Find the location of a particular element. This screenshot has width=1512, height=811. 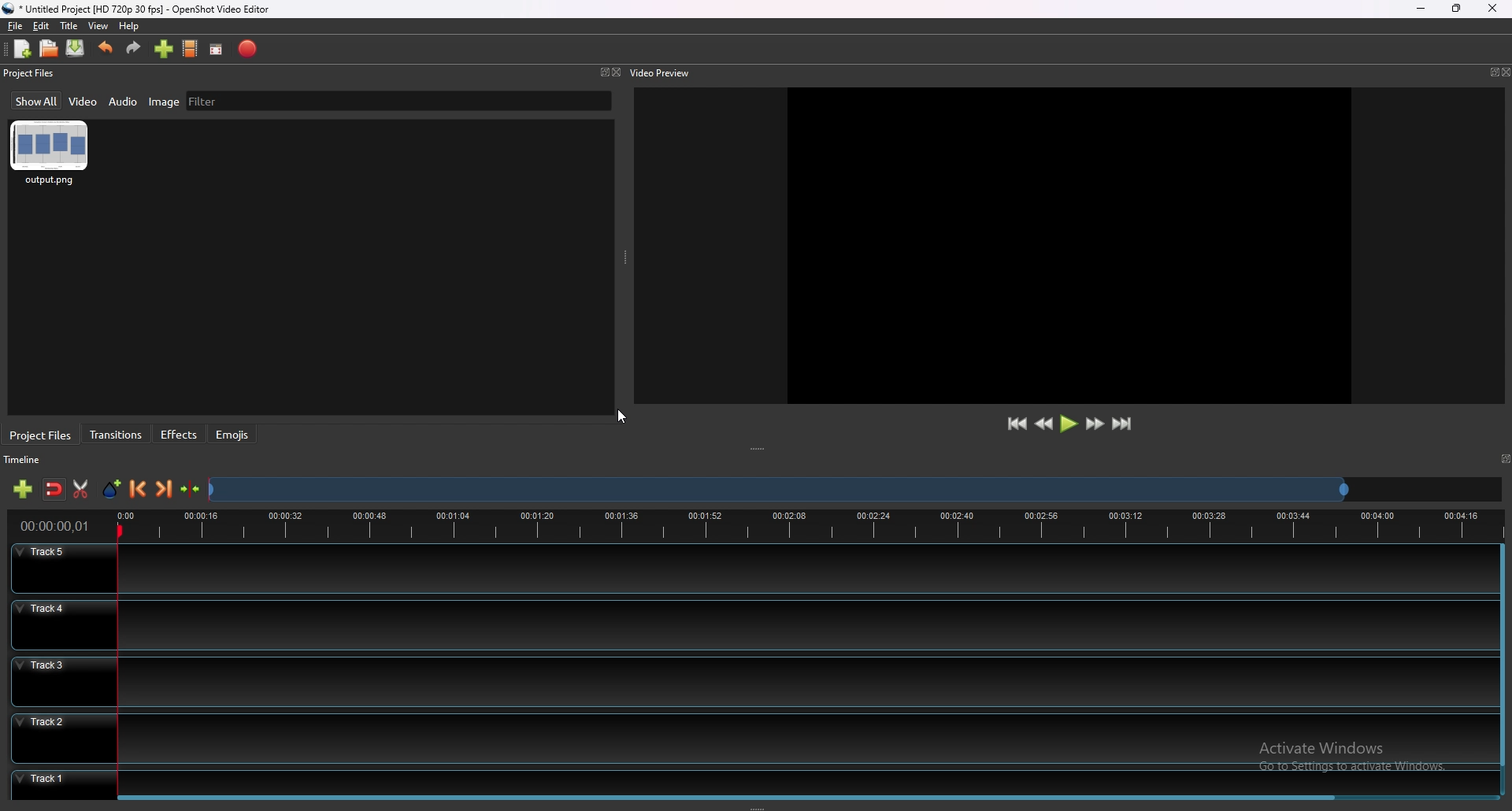

fullscreen is located at coordinates (217, 49).